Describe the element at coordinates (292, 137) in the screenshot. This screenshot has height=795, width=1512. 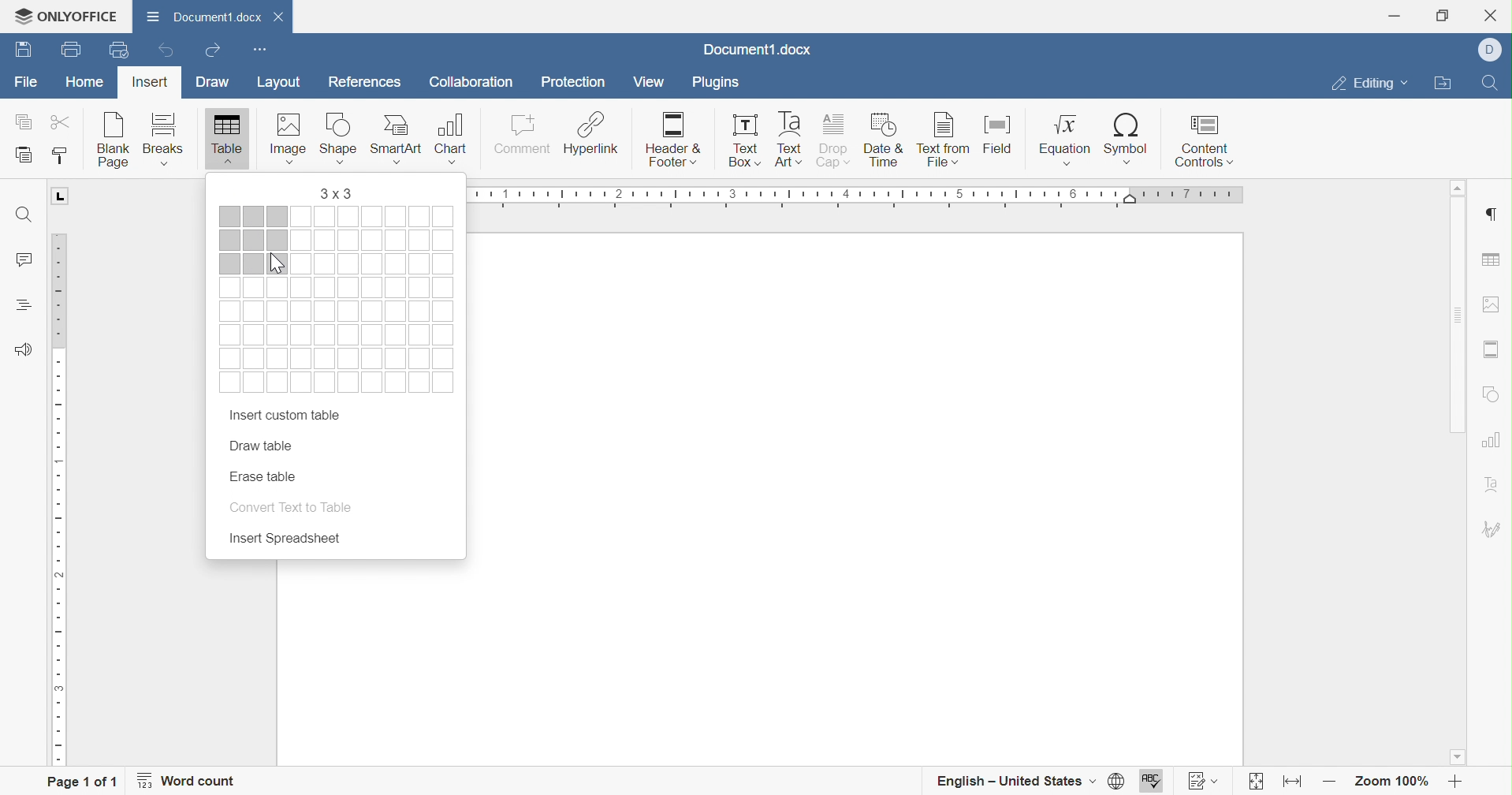
I see `Insert image` at that location.